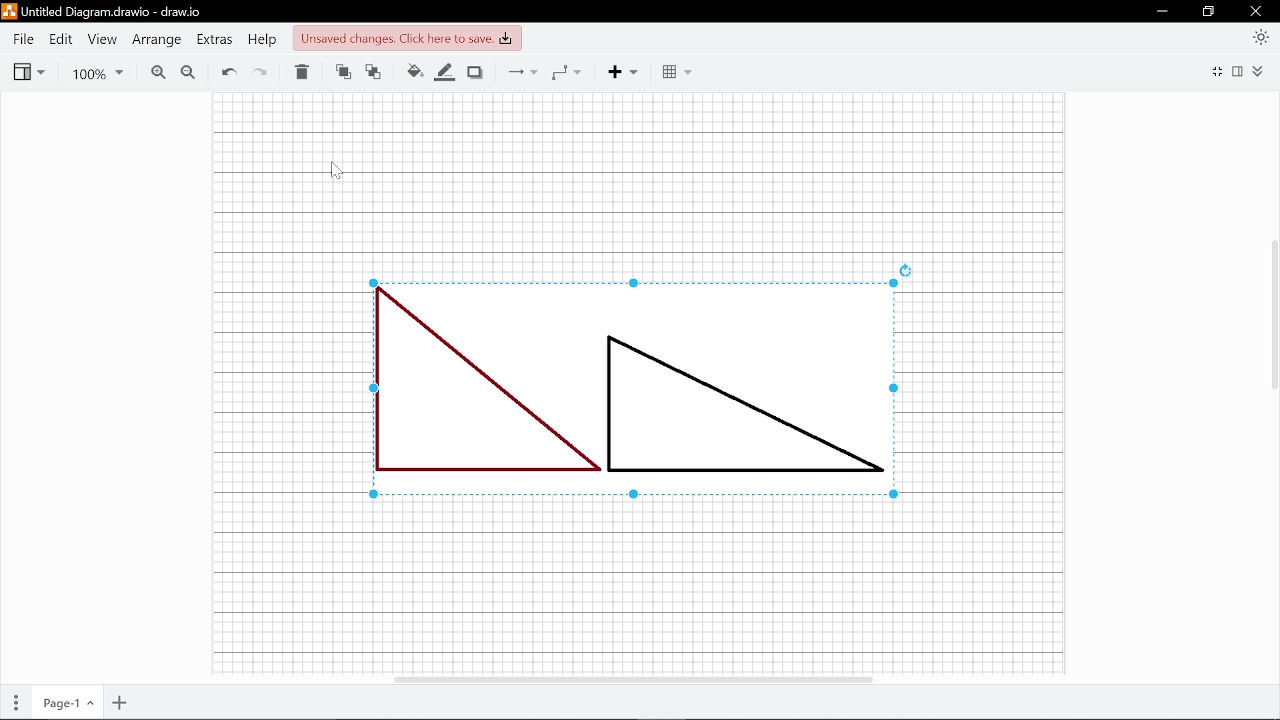 The image size is (1280, 720). Describe the element at coordinates (344, 72) in the screenshot. I see `To front` at that location.